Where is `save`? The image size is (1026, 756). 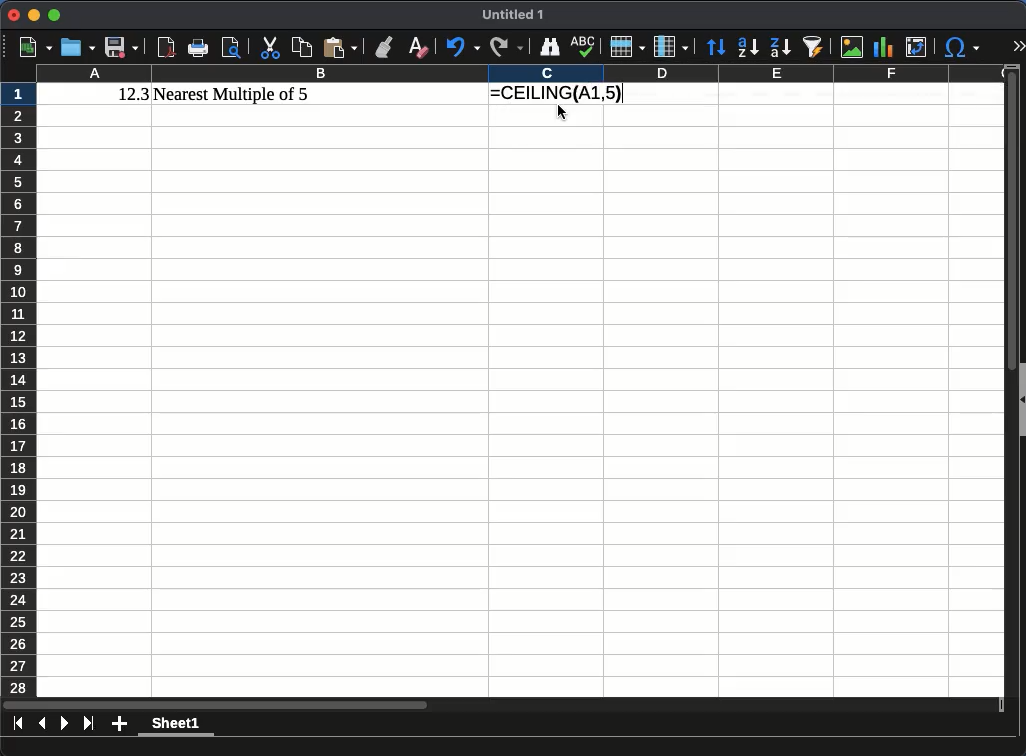
save is located at coordinates (121, 47).